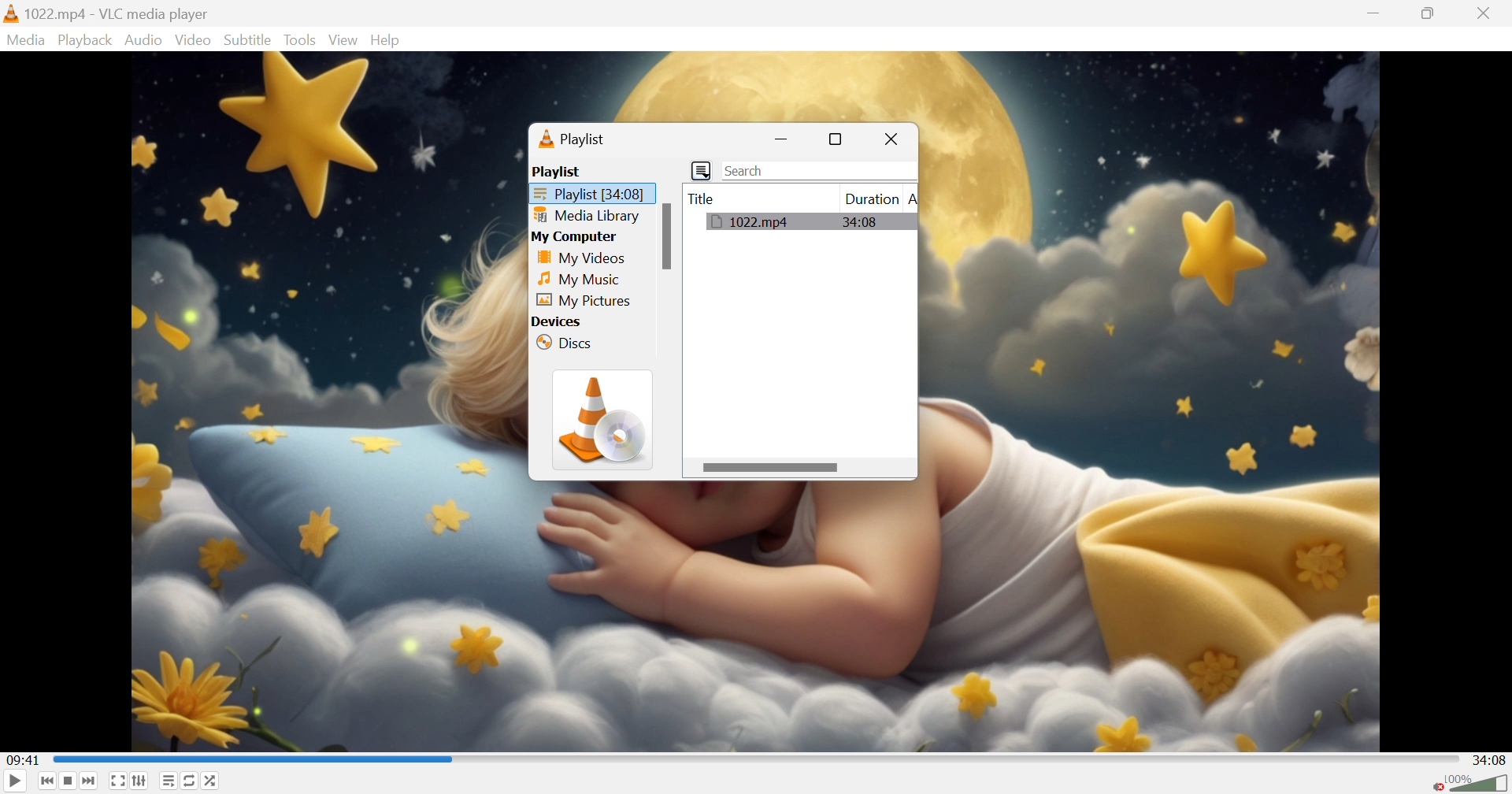 This screenshot has width=1512, height=794. Describe the element at coordinates (589, 194) in the screenshot. I see `Playlist [34:08]` at that location.